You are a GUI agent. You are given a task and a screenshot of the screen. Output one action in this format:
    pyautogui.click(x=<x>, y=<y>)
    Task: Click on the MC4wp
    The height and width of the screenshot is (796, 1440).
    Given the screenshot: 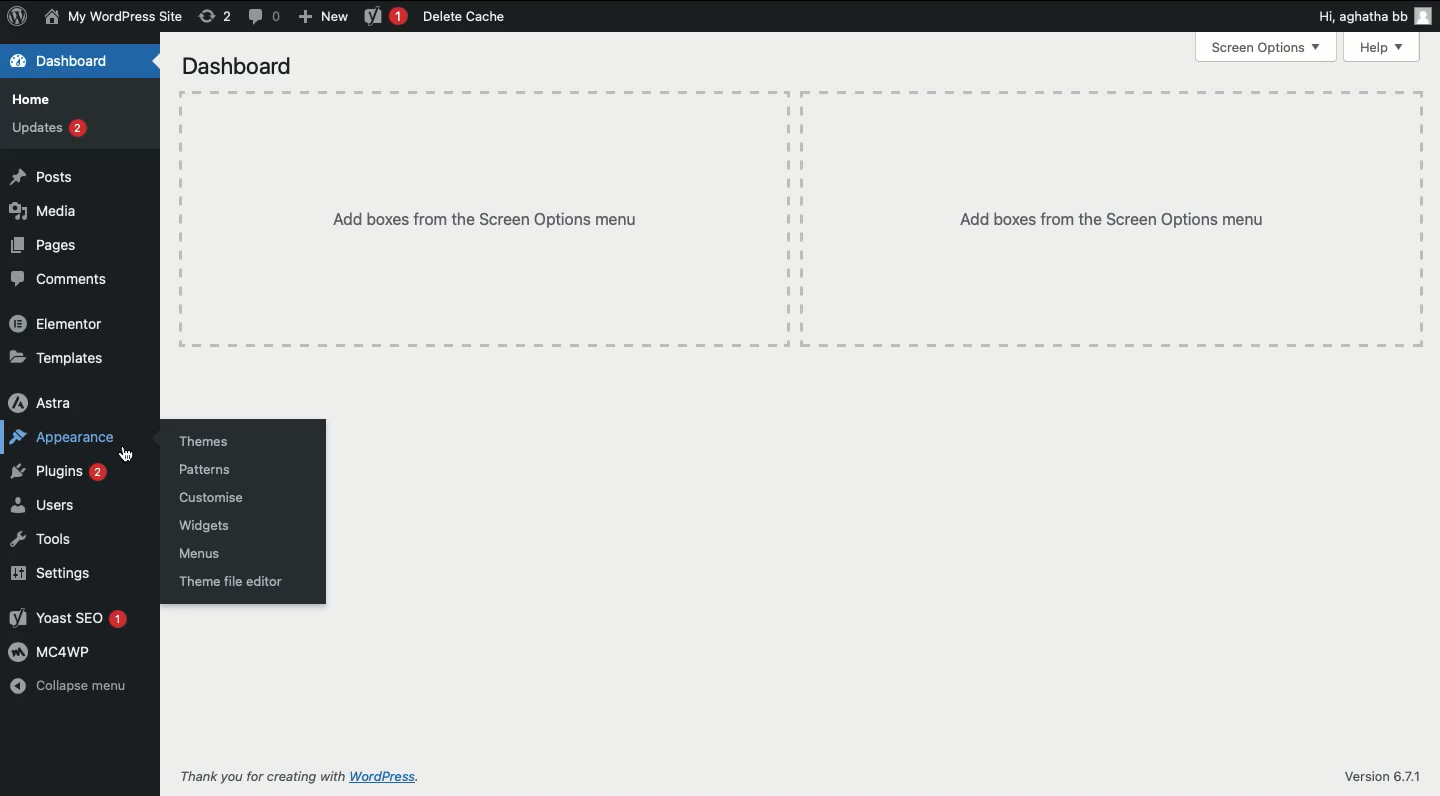 What is the action you would take?
    pyautogui.click(x=61, y=653)
    